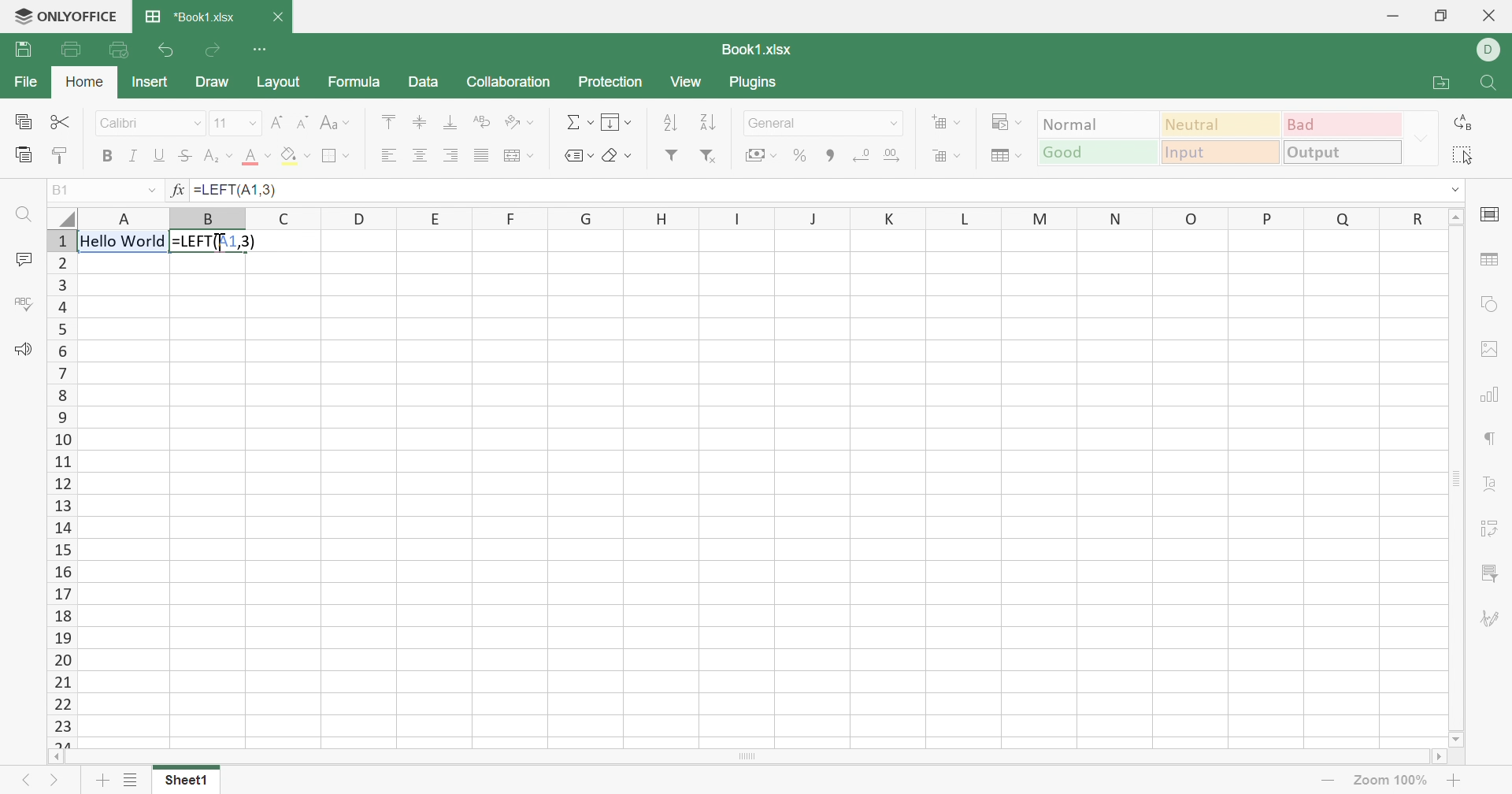 The image size is (1512, 794). Describe the element at coordinates (481, 121) in the screenshot. I see `Wrap text` at that location.